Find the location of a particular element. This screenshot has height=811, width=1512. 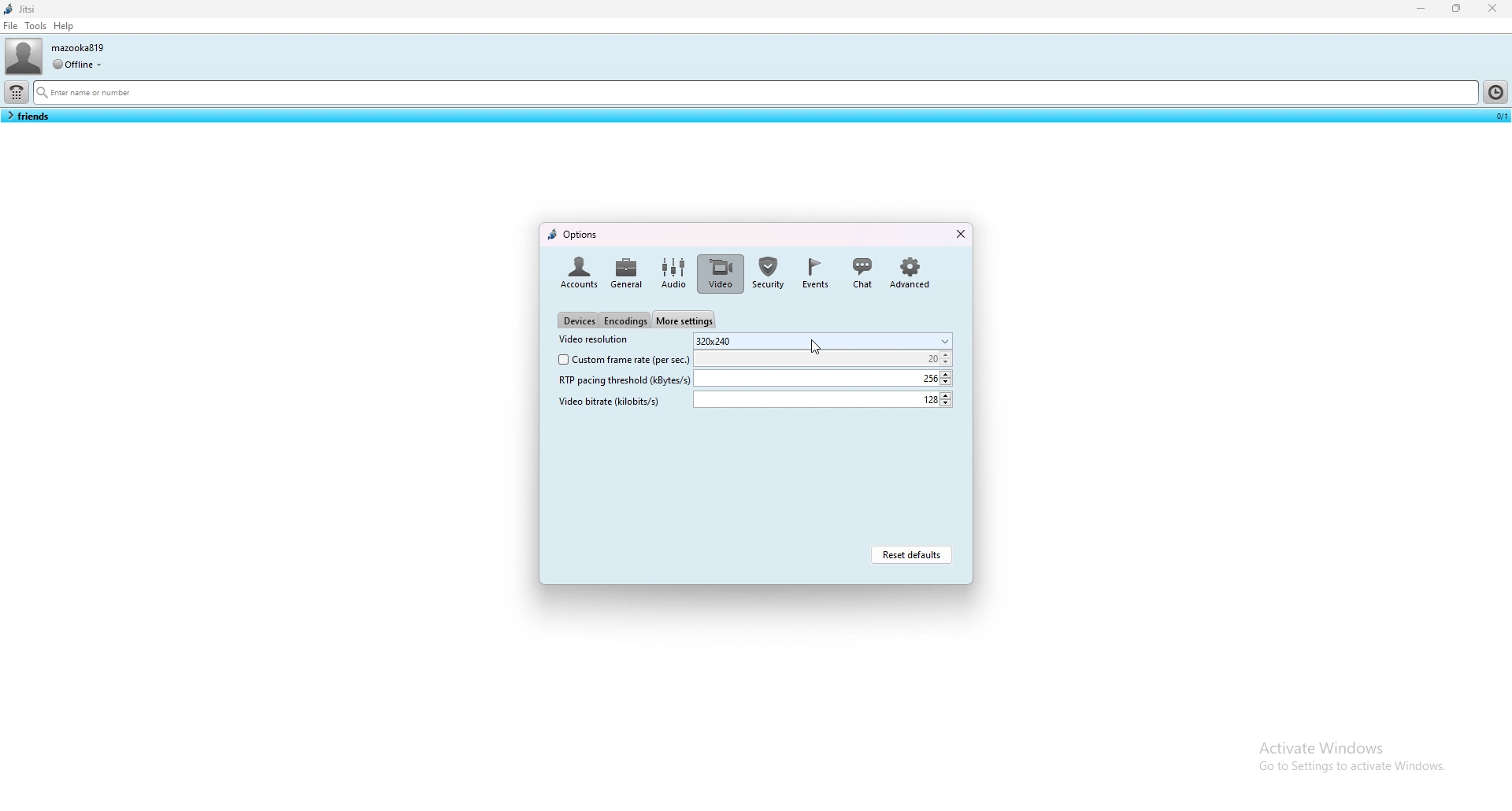

rtp pacing threshold is located at coordinates (825, 378).